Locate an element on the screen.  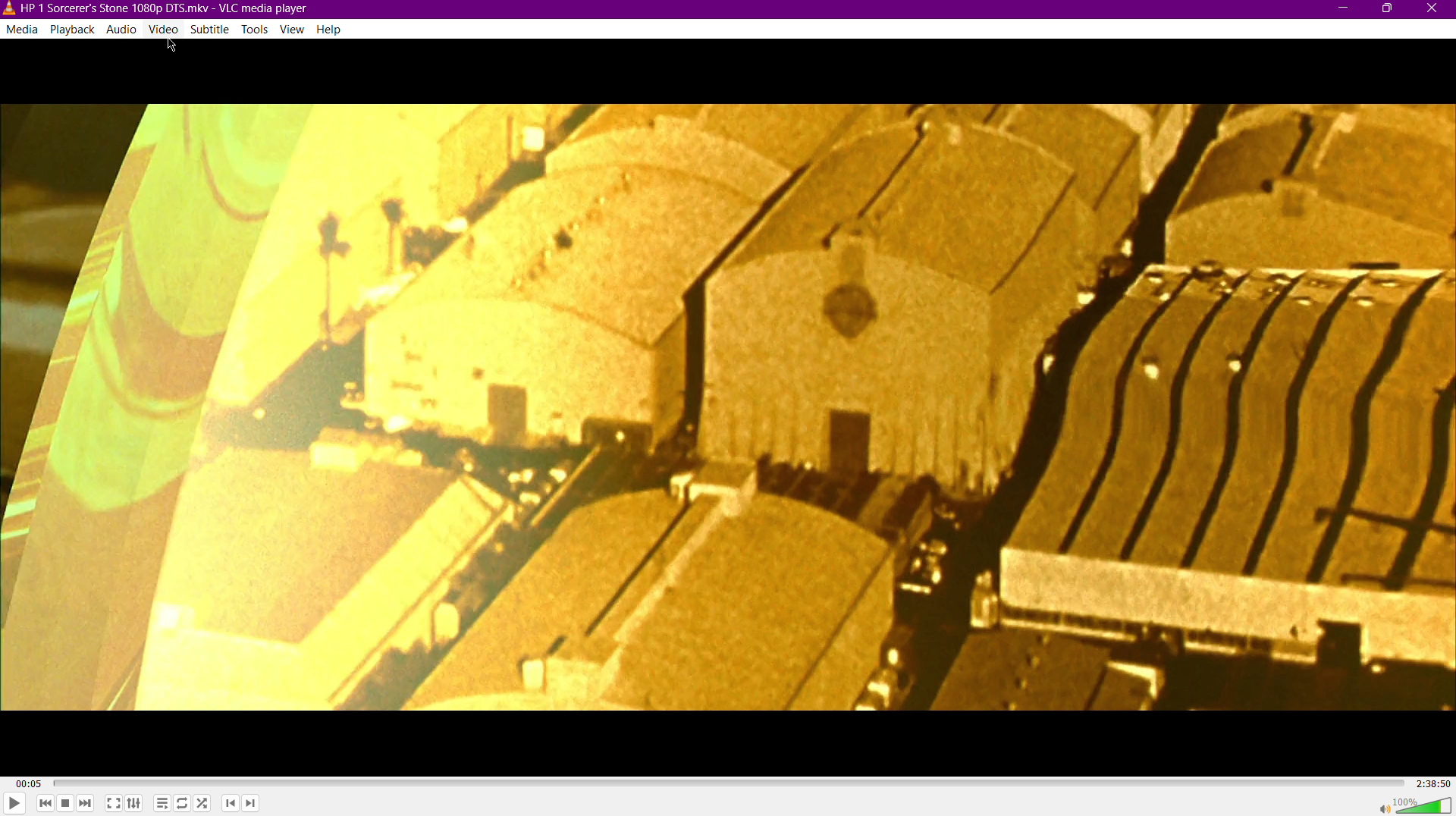
Video is located at coordinates (165, 29).